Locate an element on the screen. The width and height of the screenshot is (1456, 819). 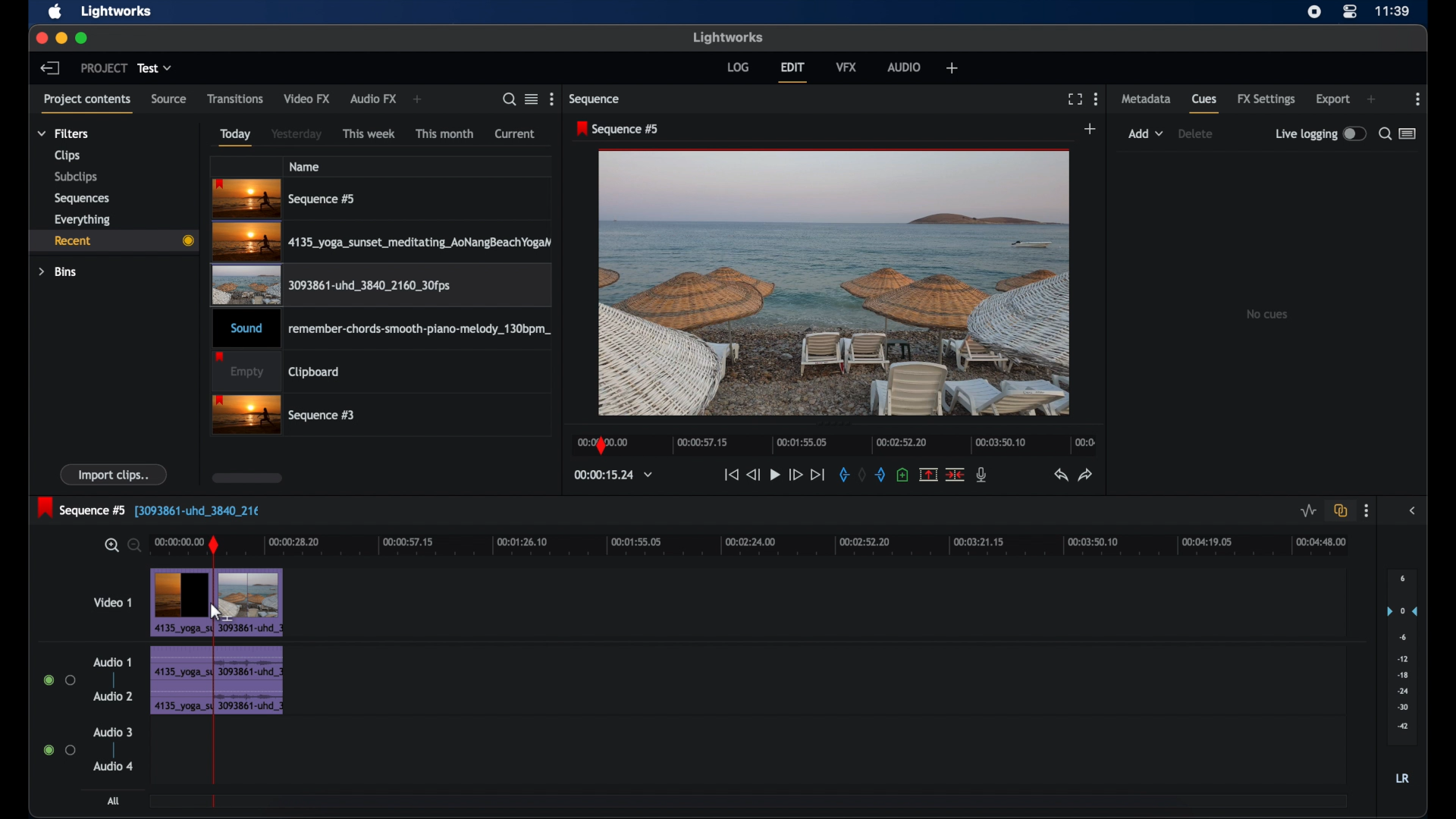
add is located at coordinates (1371, 99).